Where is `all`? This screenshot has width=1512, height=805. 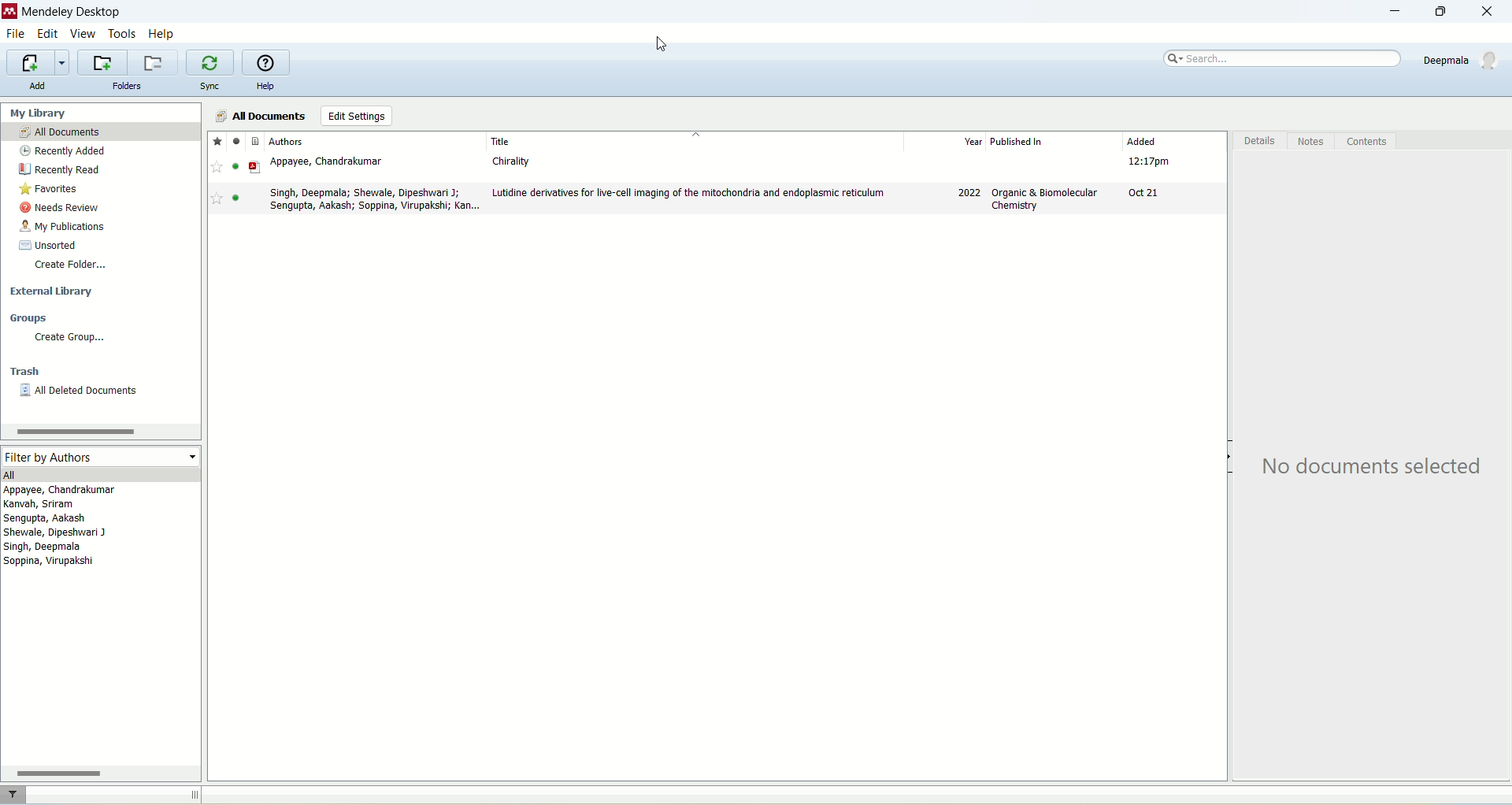 all is located at coordinates (98, 474).